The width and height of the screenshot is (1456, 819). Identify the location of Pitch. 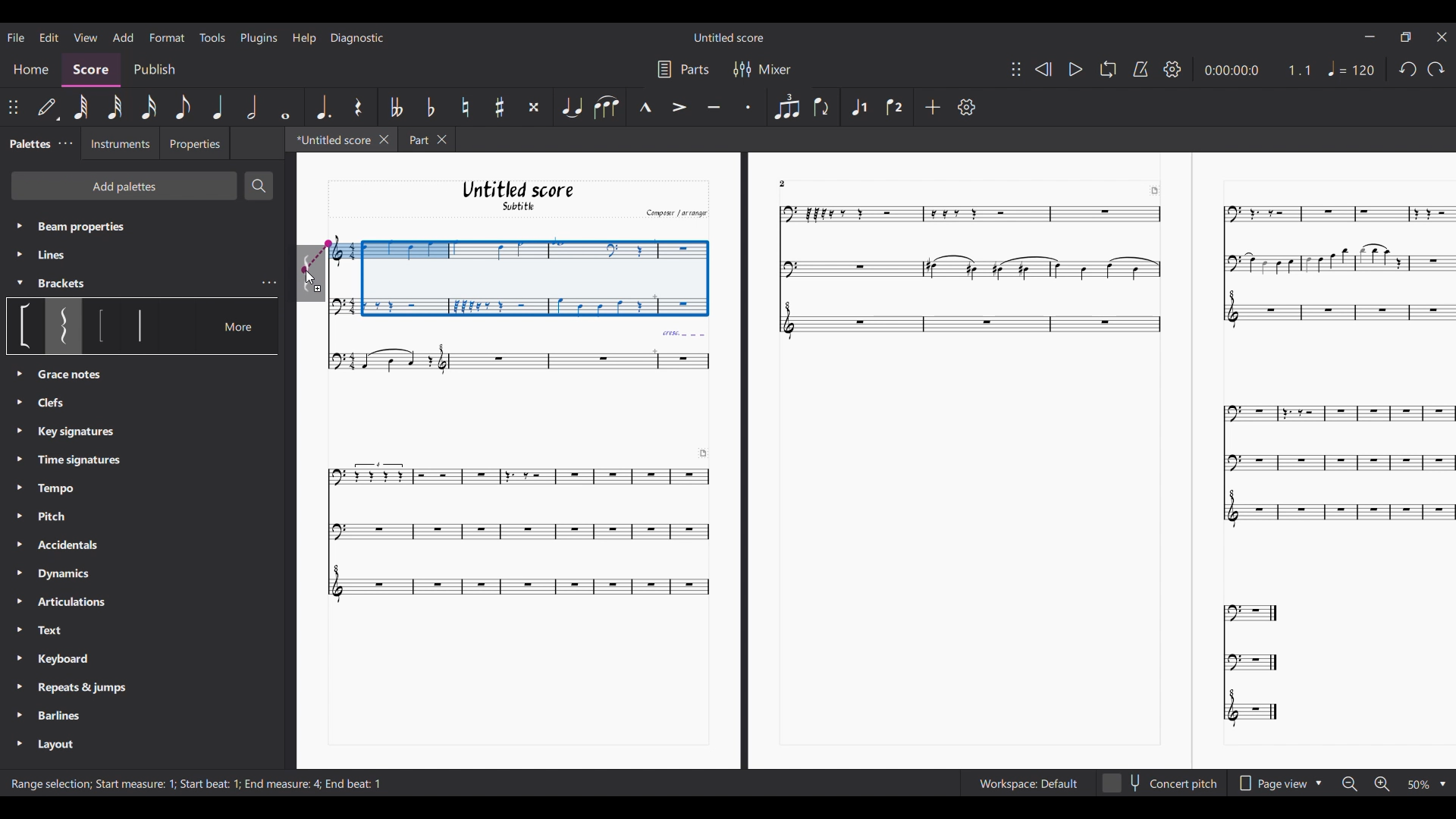
(61, 518).